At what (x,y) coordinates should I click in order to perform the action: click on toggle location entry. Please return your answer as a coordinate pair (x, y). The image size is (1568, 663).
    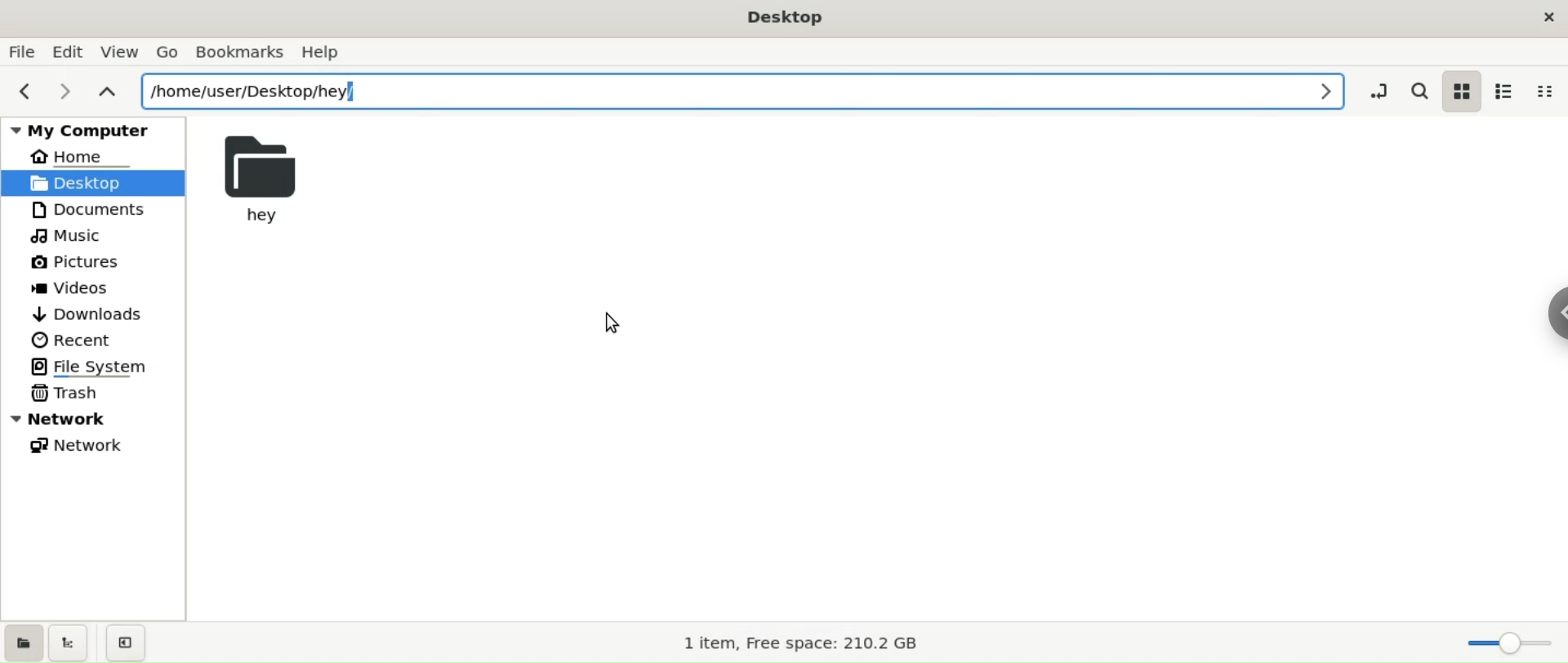
    Looking at the image, I should click on (1378, 91).